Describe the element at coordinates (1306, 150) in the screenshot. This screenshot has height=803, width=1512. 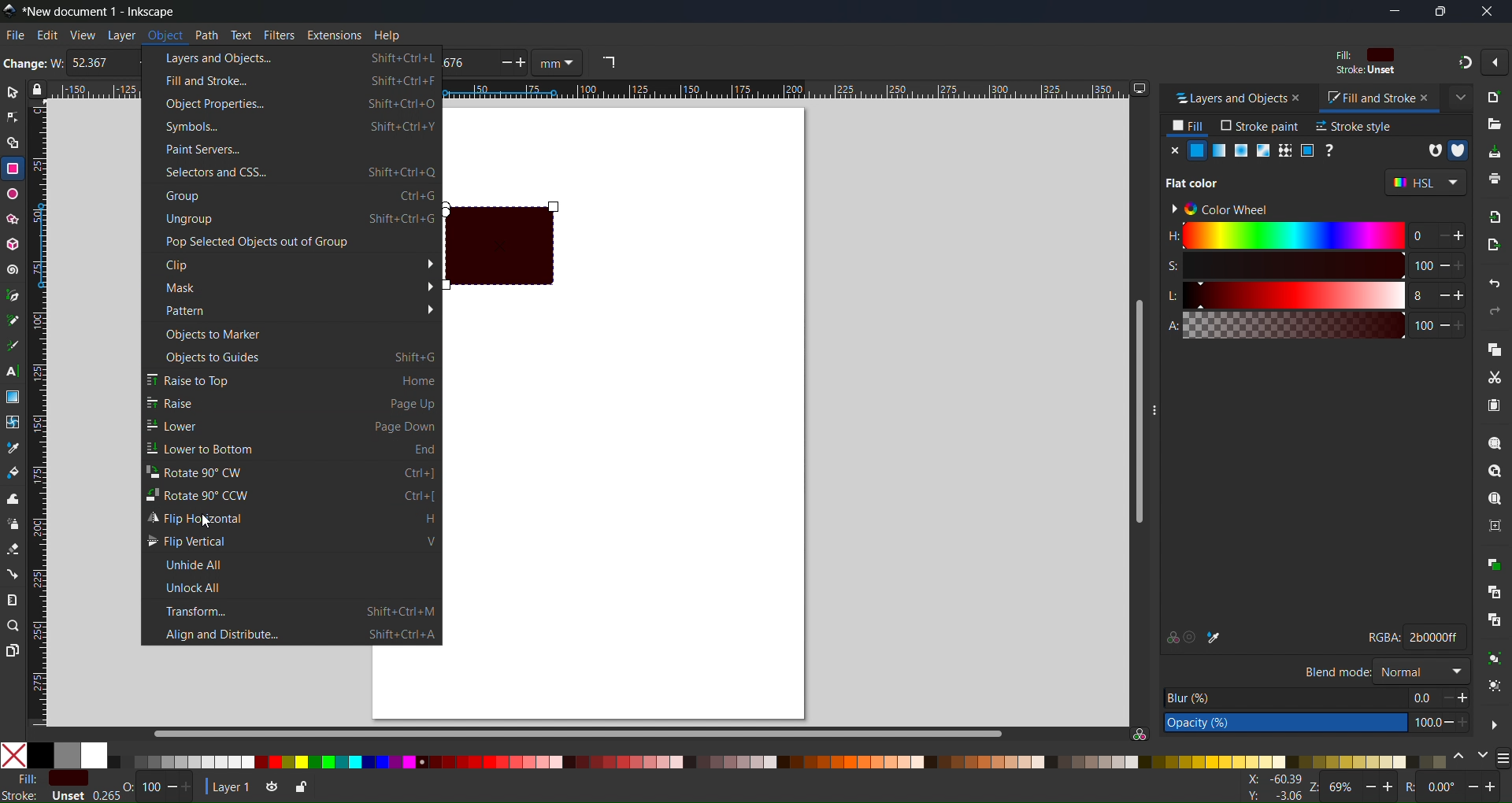
I see `Swatch` at that location.